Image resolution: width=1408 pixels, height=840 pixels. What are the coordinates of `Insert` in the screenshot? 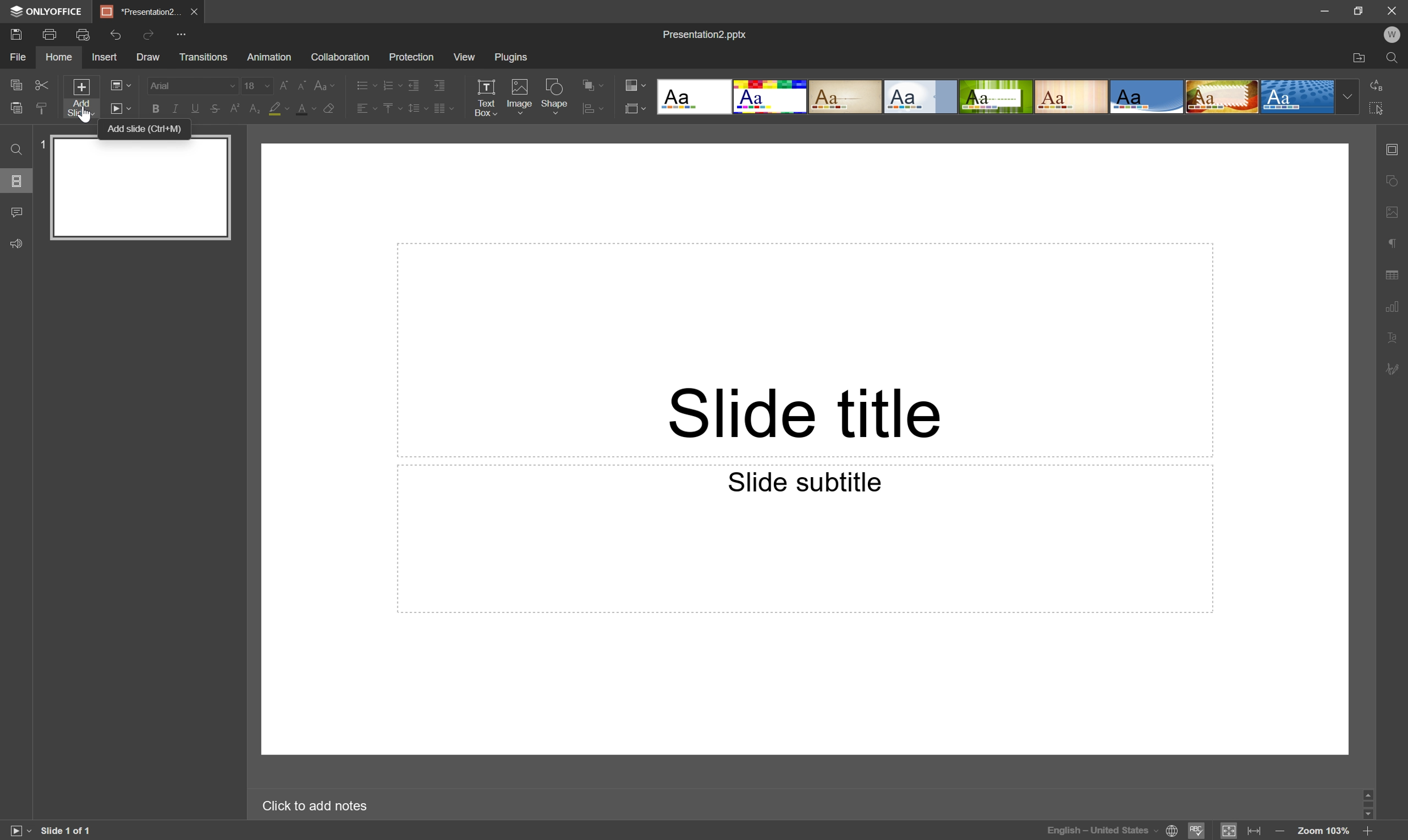 It's located at (103, 57).